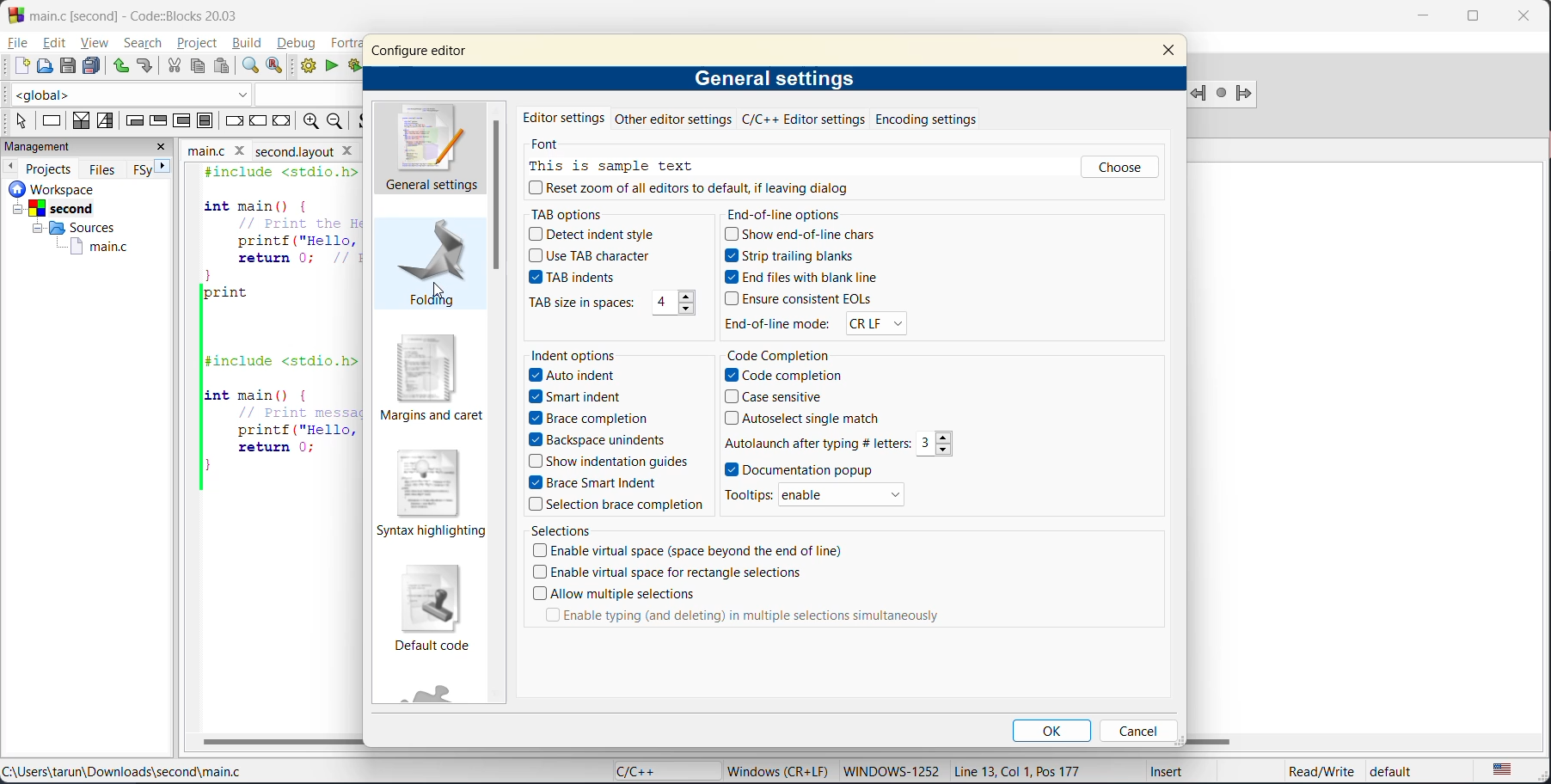 This screenshot has height=784, width=1551. I want to click on general settings, so click(437, 149).